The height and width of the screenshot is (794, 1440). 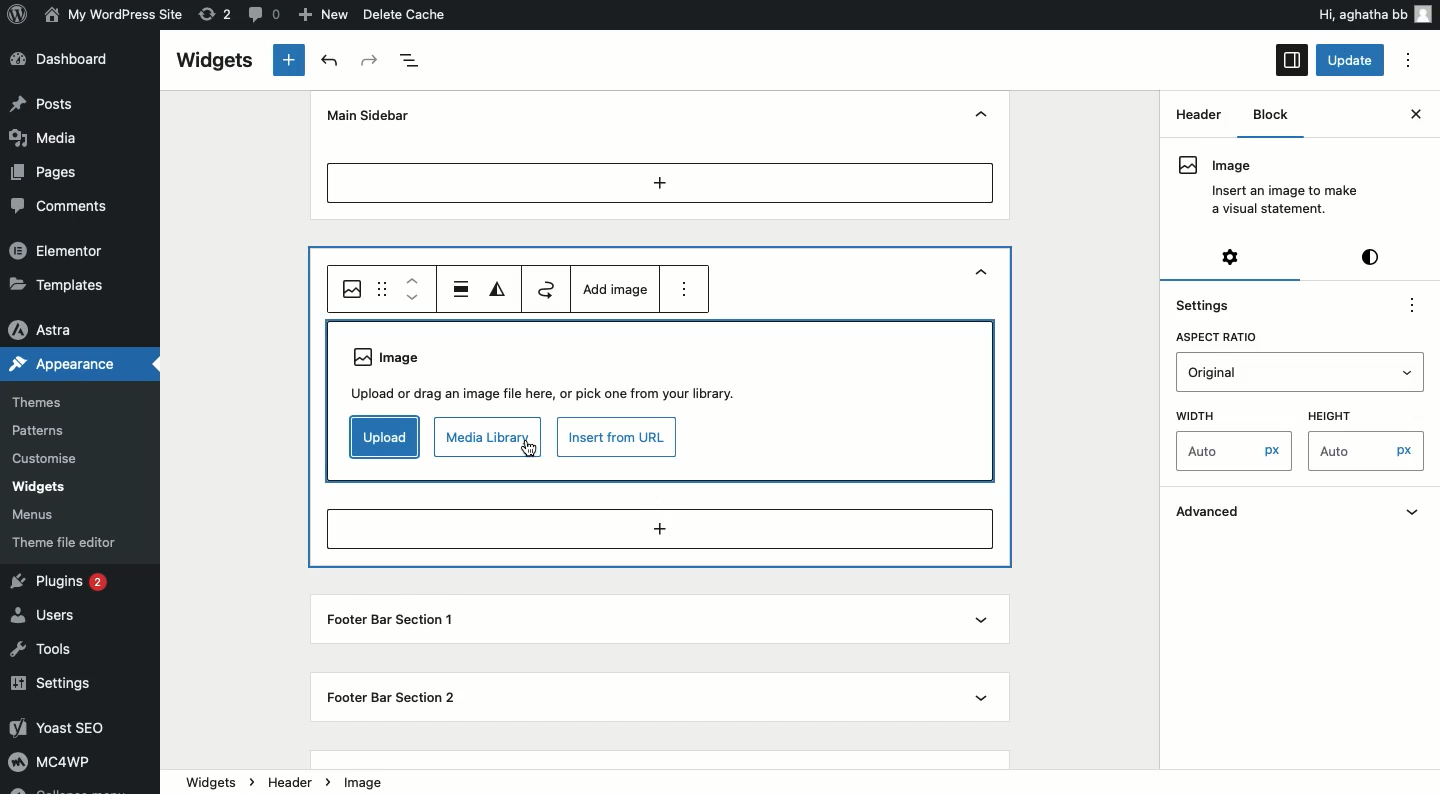 What do you see at coordinates (500, 290) in the screenshot?
I see `Duotone` at bounding box center [500, 290].